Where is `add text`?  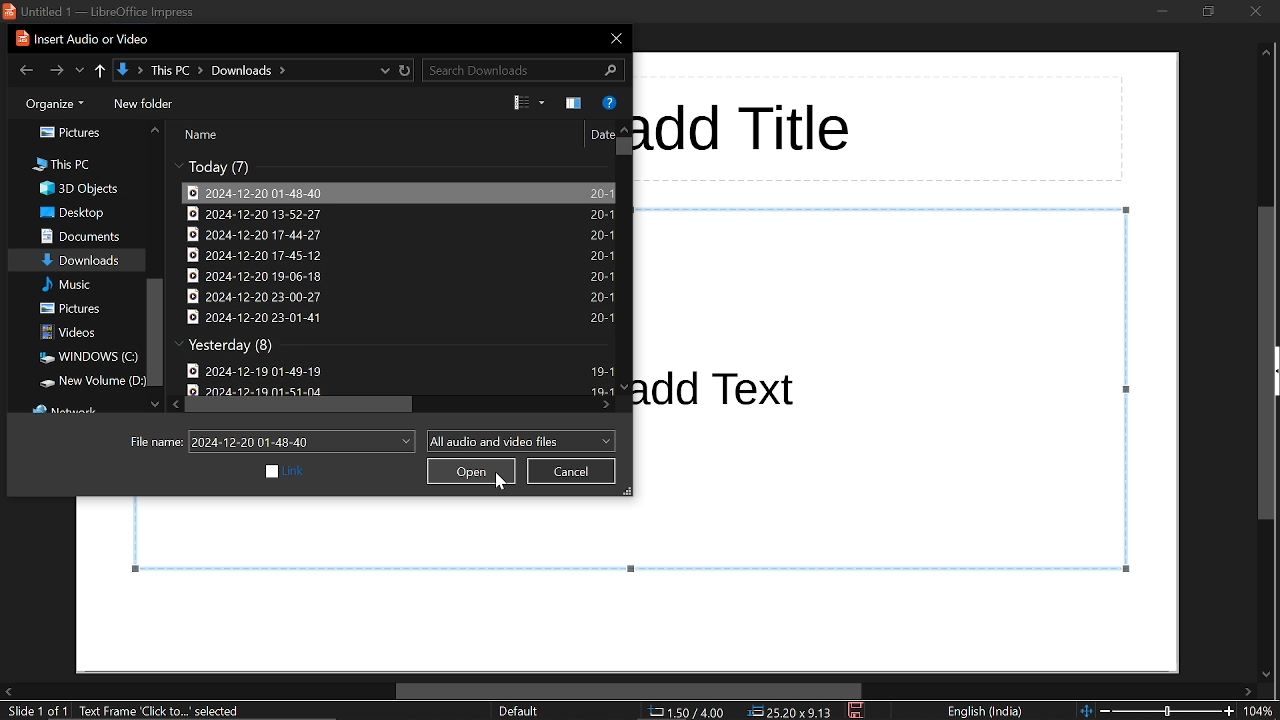
add text is located at coordinates (723, 388).